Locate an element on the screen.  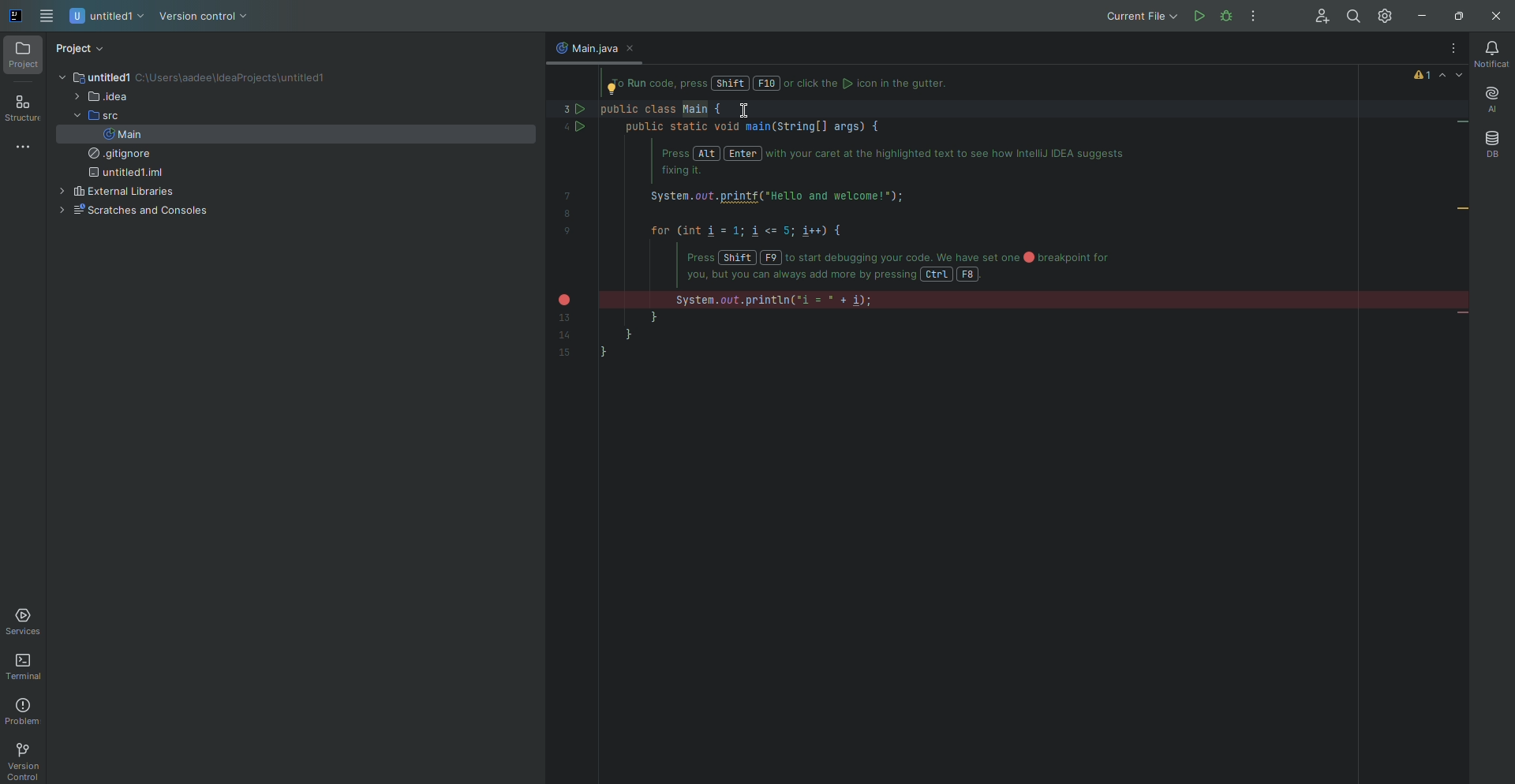
untitled1.iml is located at coordinates (123, 174).